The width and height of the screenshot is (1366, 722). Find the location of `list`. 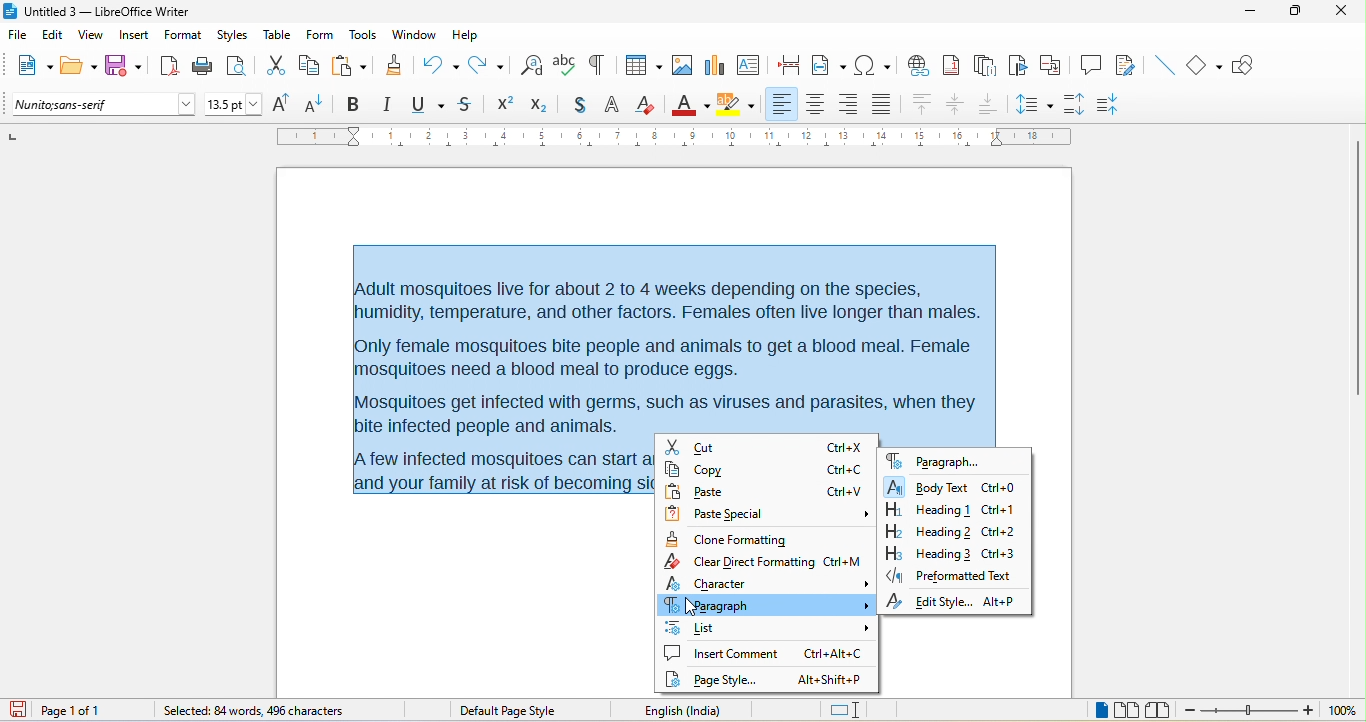

list is located at coordinates (767, 627).